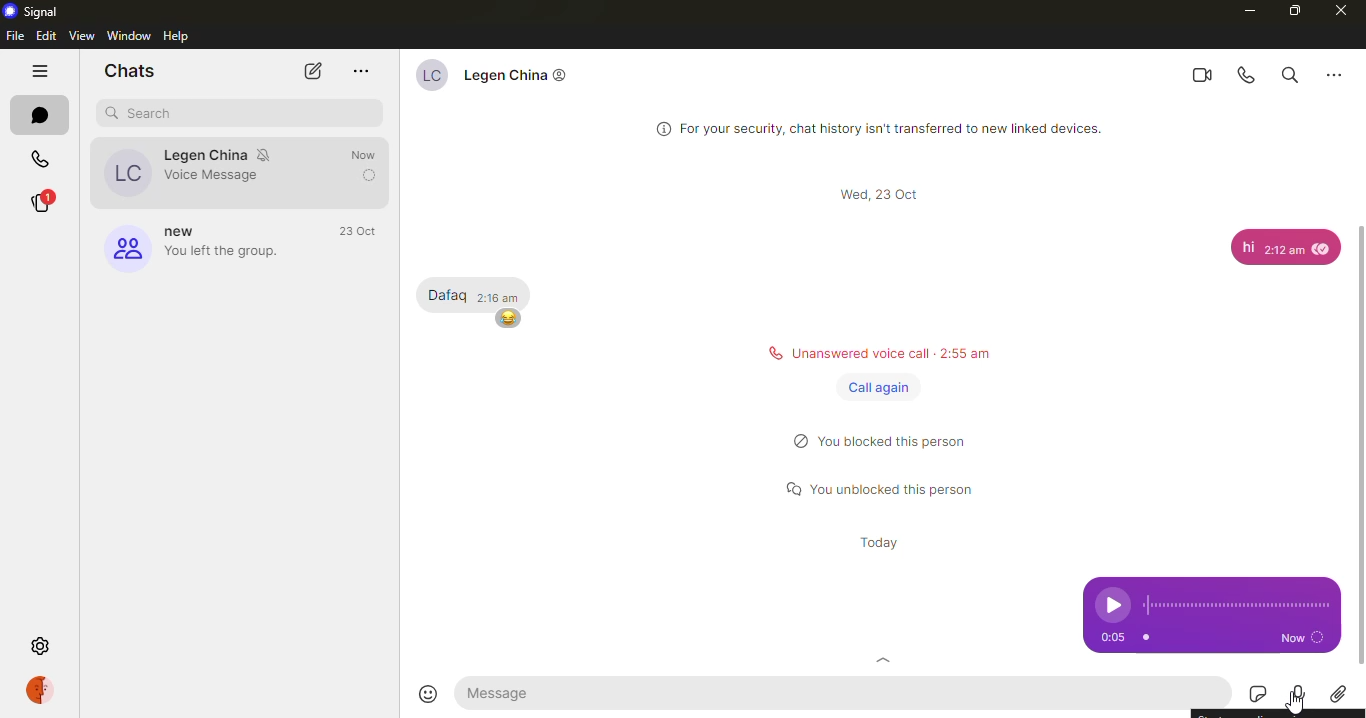 This screenshot has height=718, width=1366. What do you see at coordinates (364, 155) in the screenshot?
I see `sent now` at bounding box center [364, 155].